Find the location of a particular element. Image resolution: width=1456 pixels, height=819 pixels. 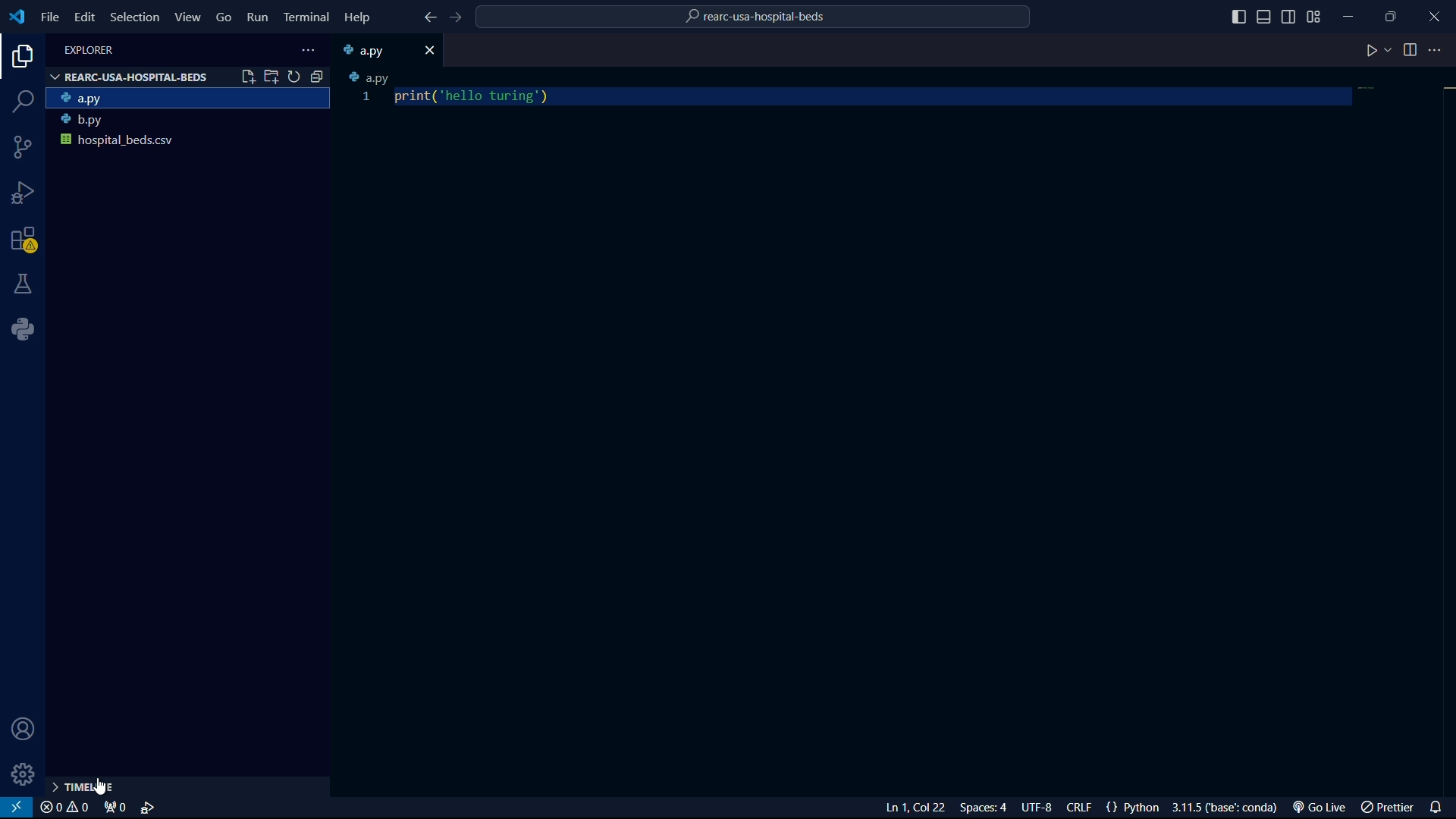

open folder is located at coordinates (274, 76).